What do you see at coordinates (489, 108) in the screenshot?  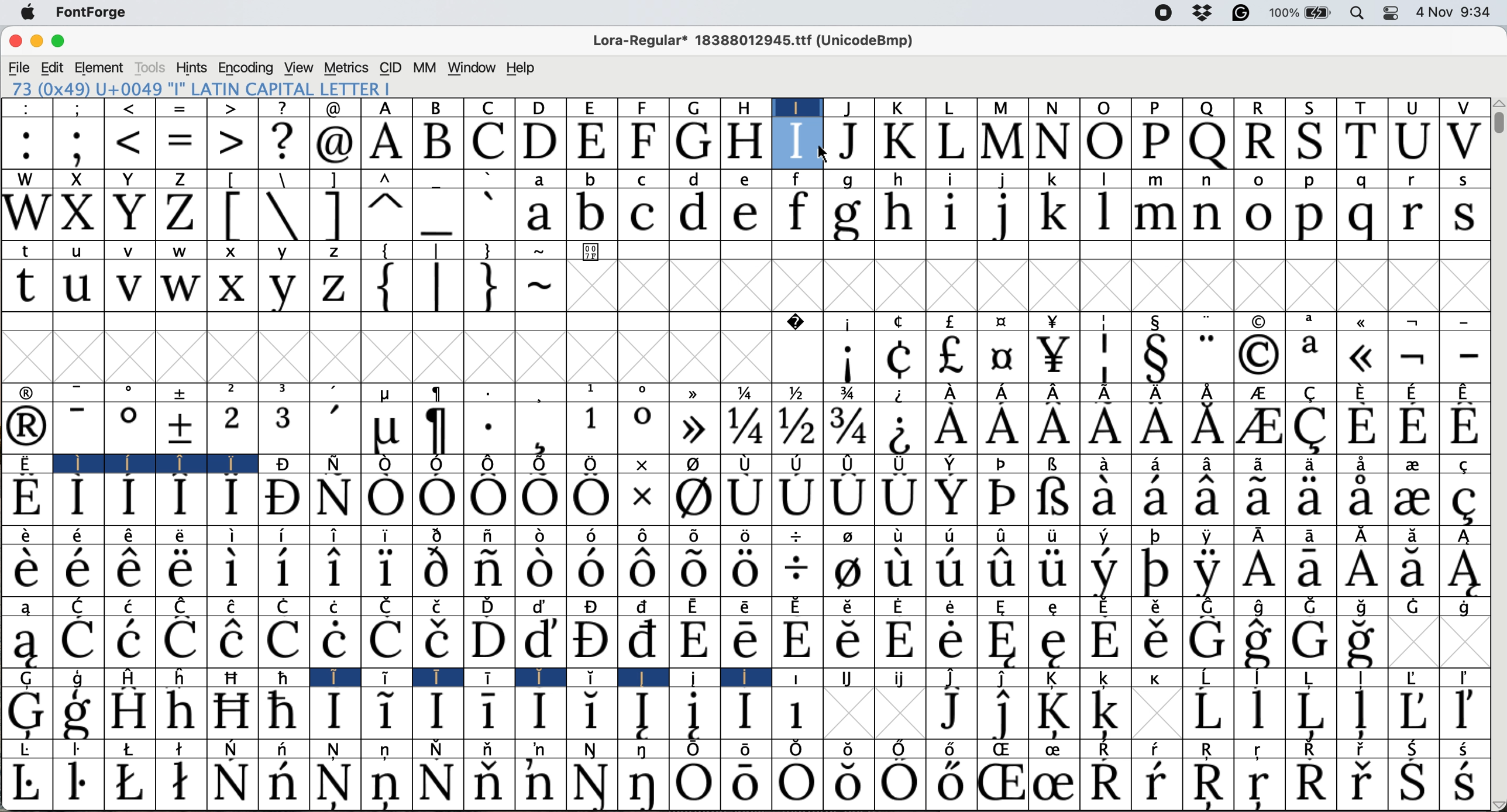 I see `C` at bounding box center [489, 108].